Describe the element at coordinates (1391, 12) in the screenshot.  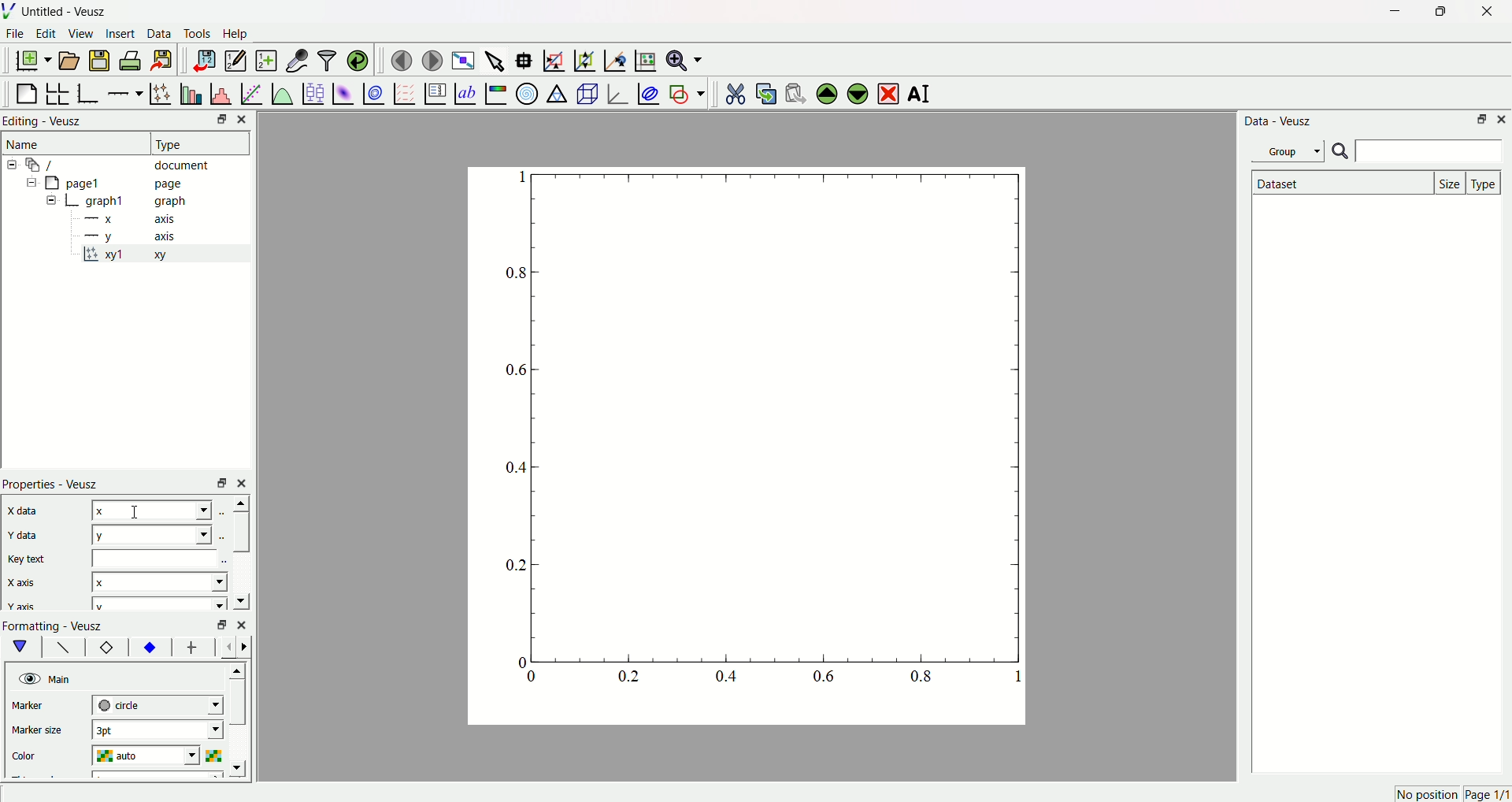
I see `Minimize` at that location.